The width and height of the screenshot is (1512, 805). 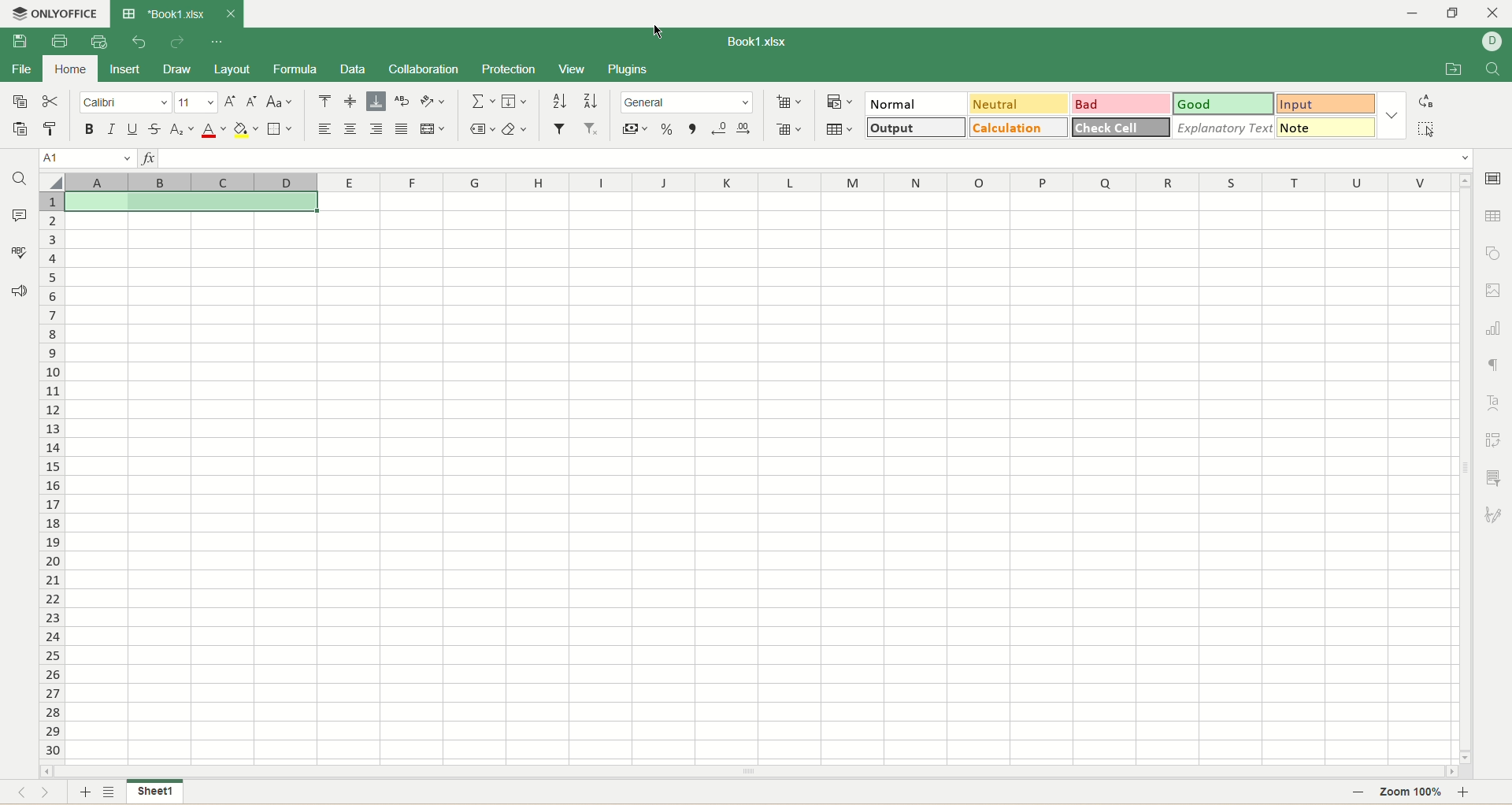 I want to click on maximize, so click(x=1457, y=12).